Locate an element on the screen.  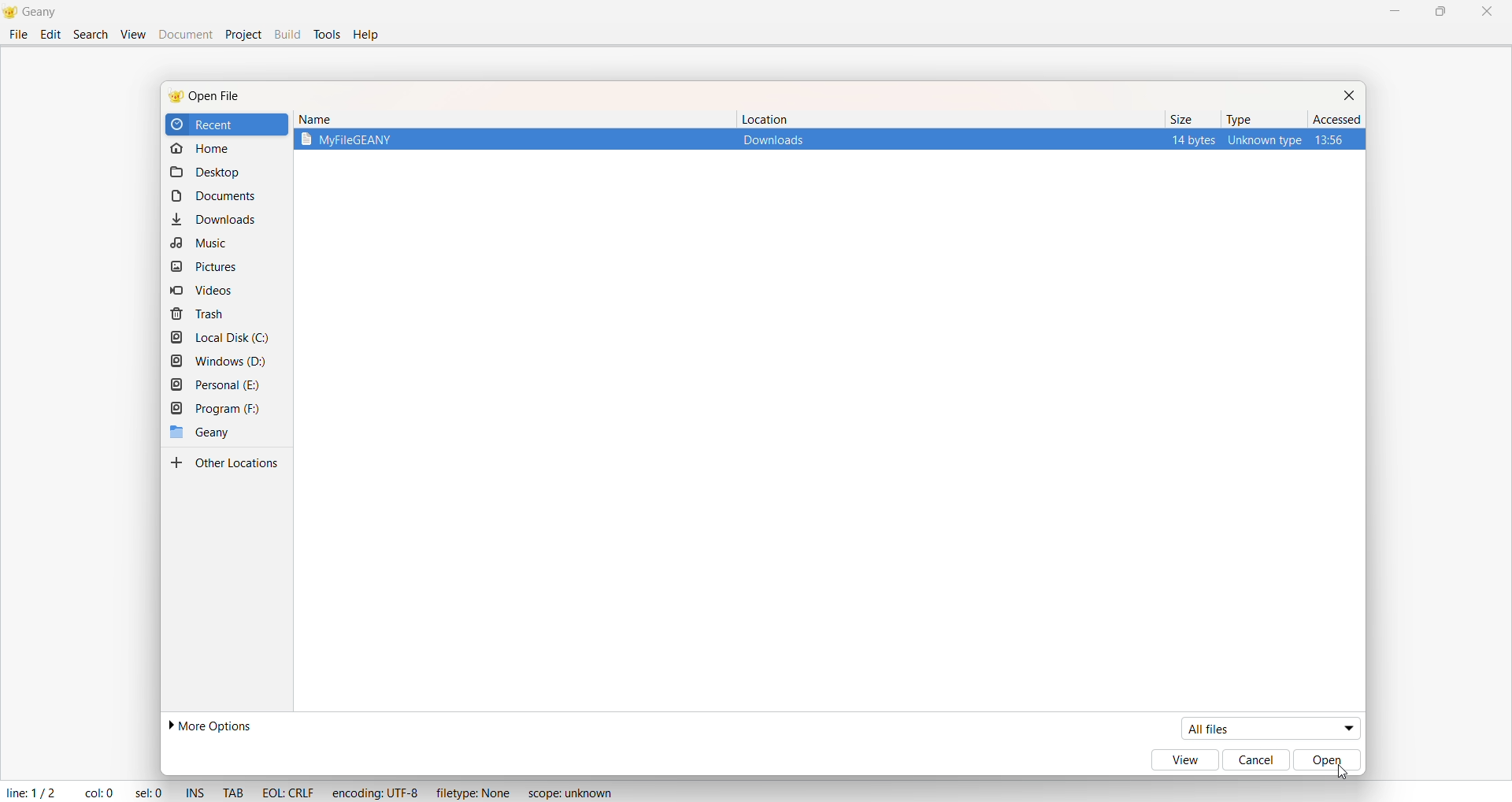
INS is located at coordinates (195, 793).